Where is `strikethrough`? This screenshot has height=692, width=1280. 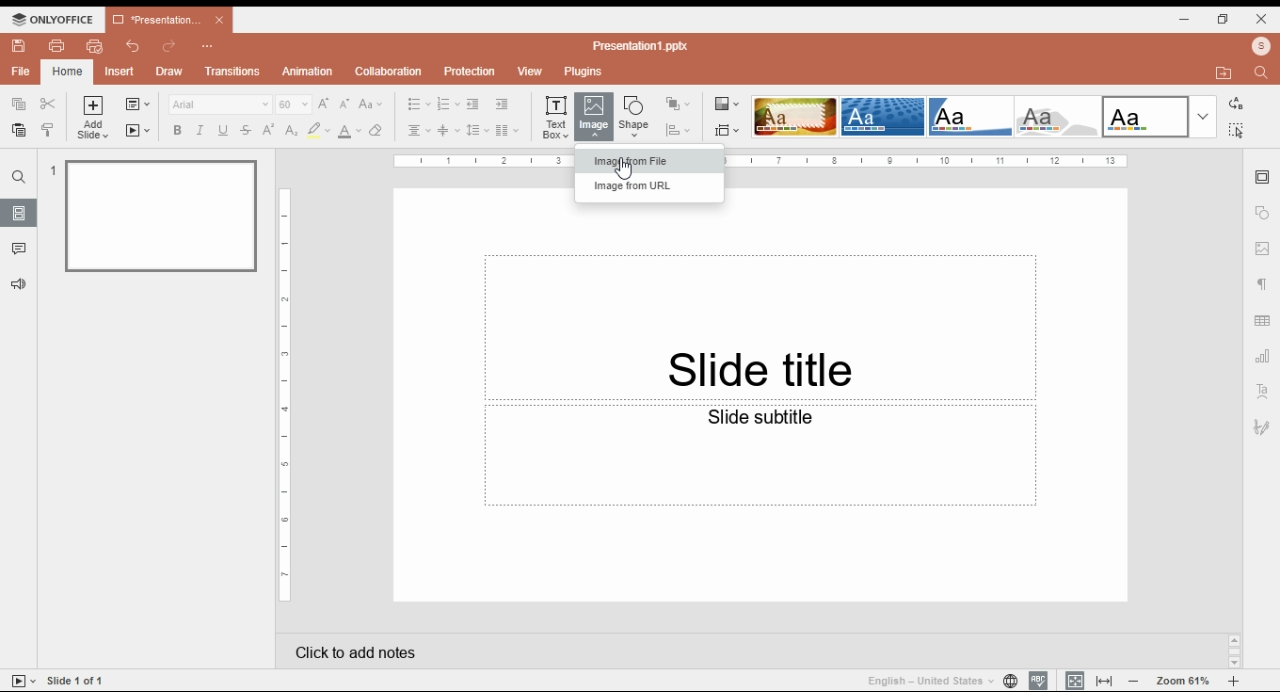
strikethrough is located at coordinates (246, 130).